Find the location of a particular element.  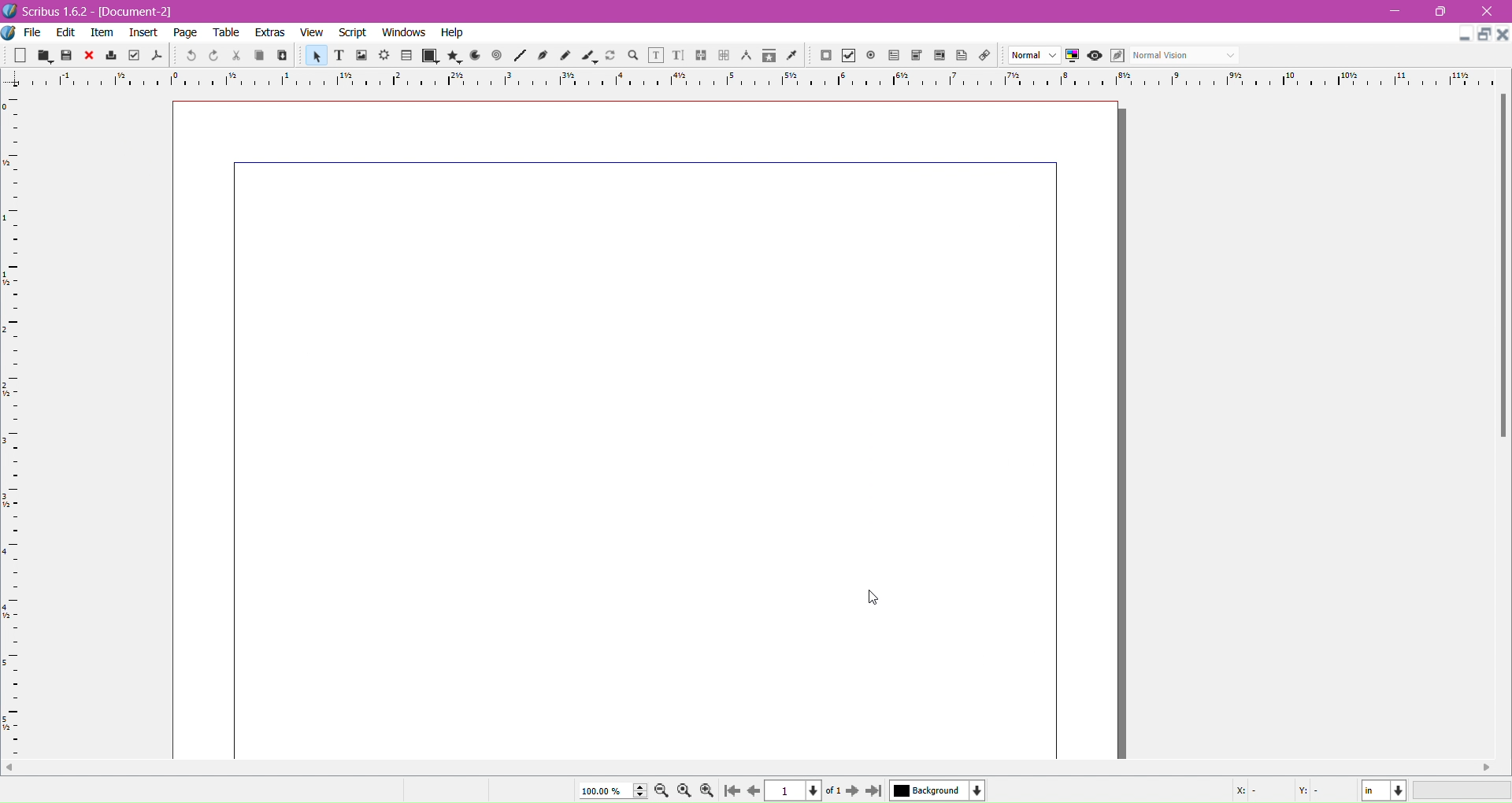

Windows is located at coordinates (403, 32).